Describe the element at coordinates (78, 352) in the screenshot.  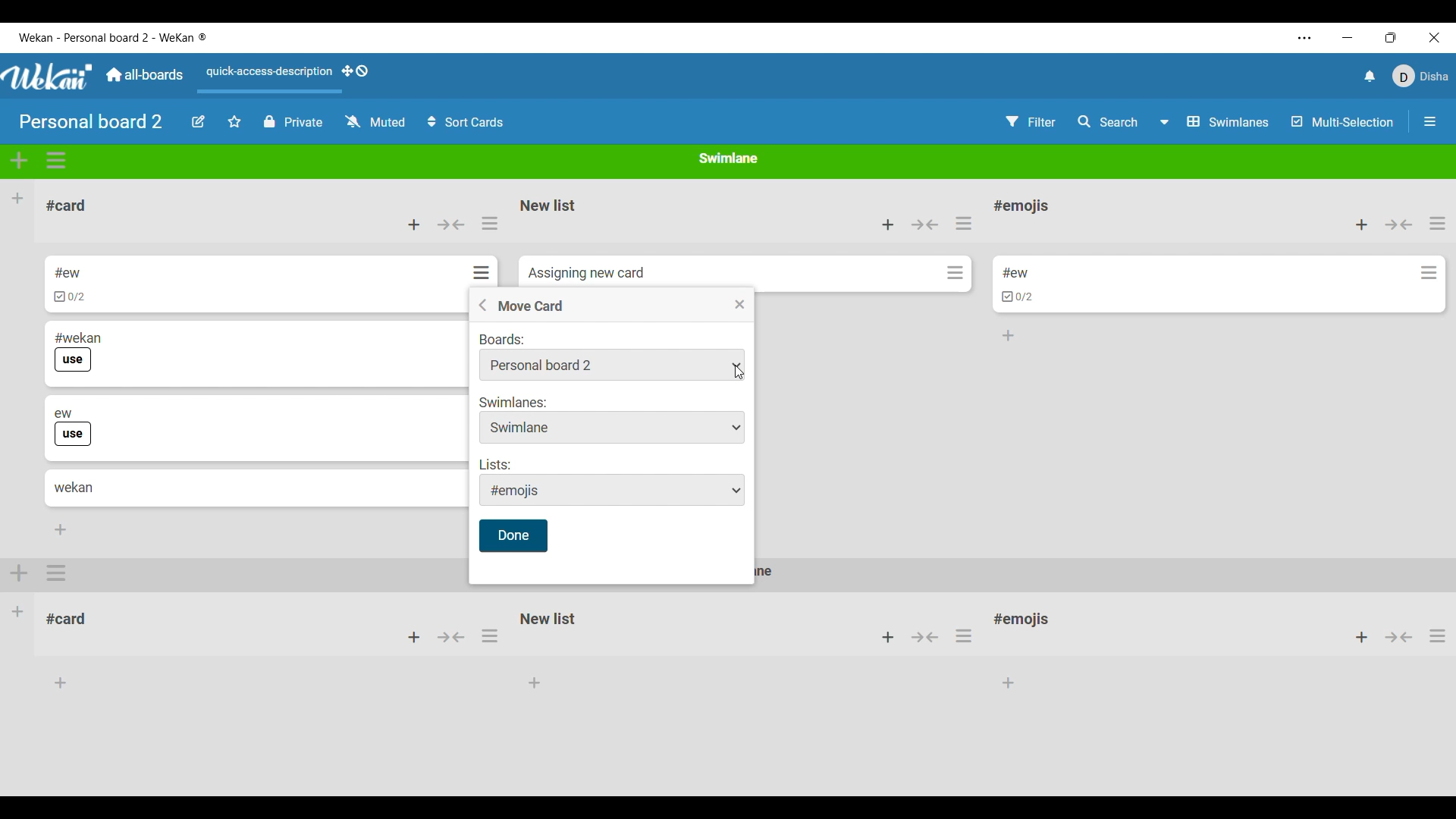
I see `Card title and label` at that location.